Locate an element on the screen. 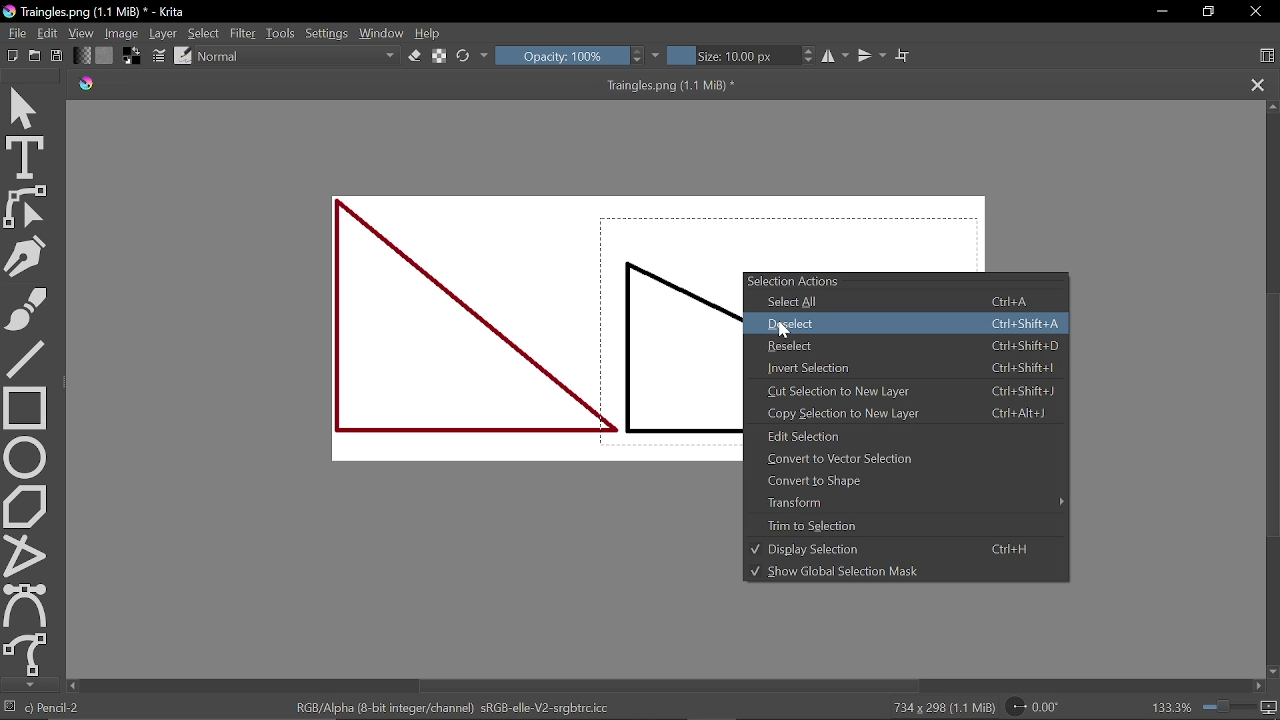 This screenshot has height=720, width=1280. Background color is located at coordinates (132, 56).